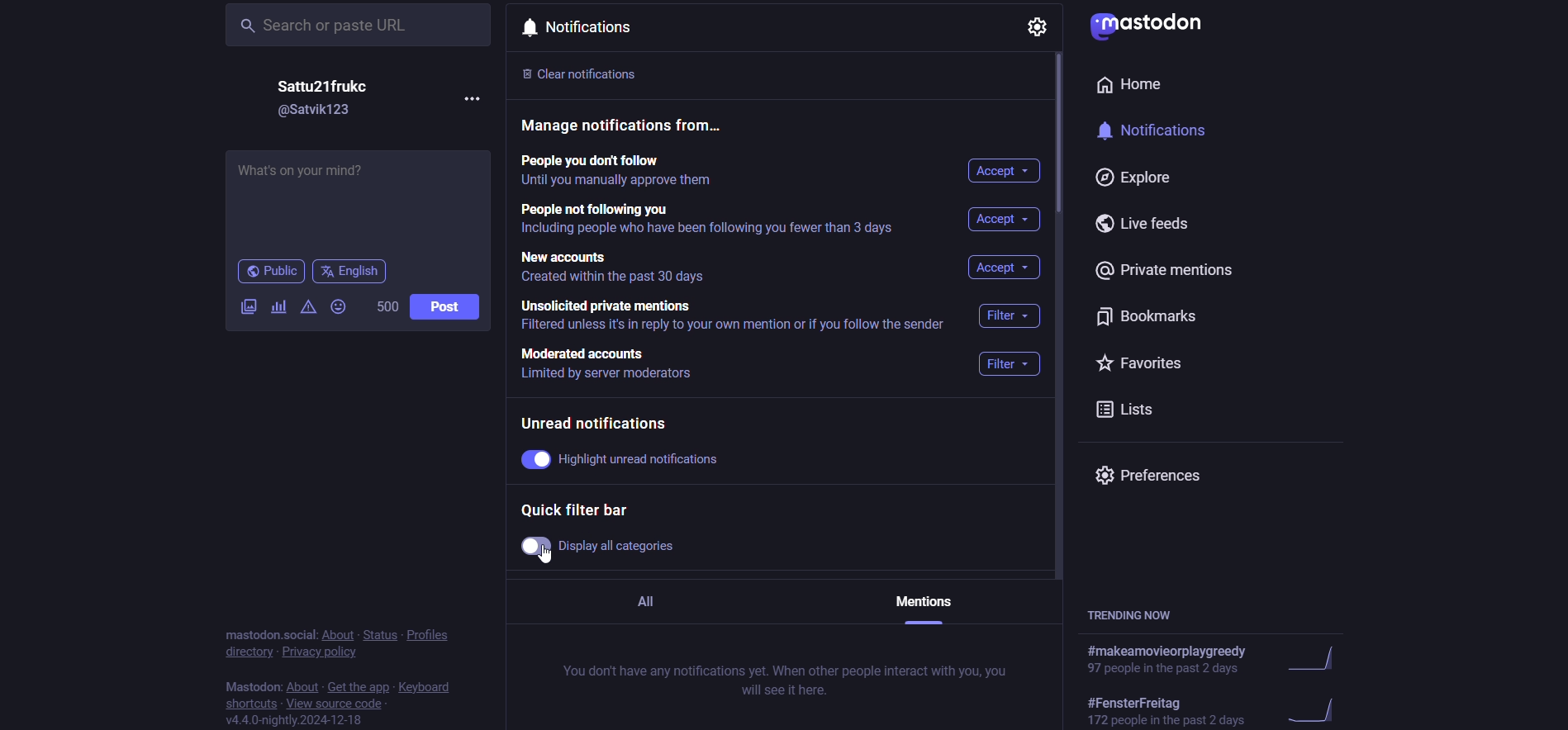 The width and height of the screenshot is (1568, 730). I want to click on All, so click(658, 604).